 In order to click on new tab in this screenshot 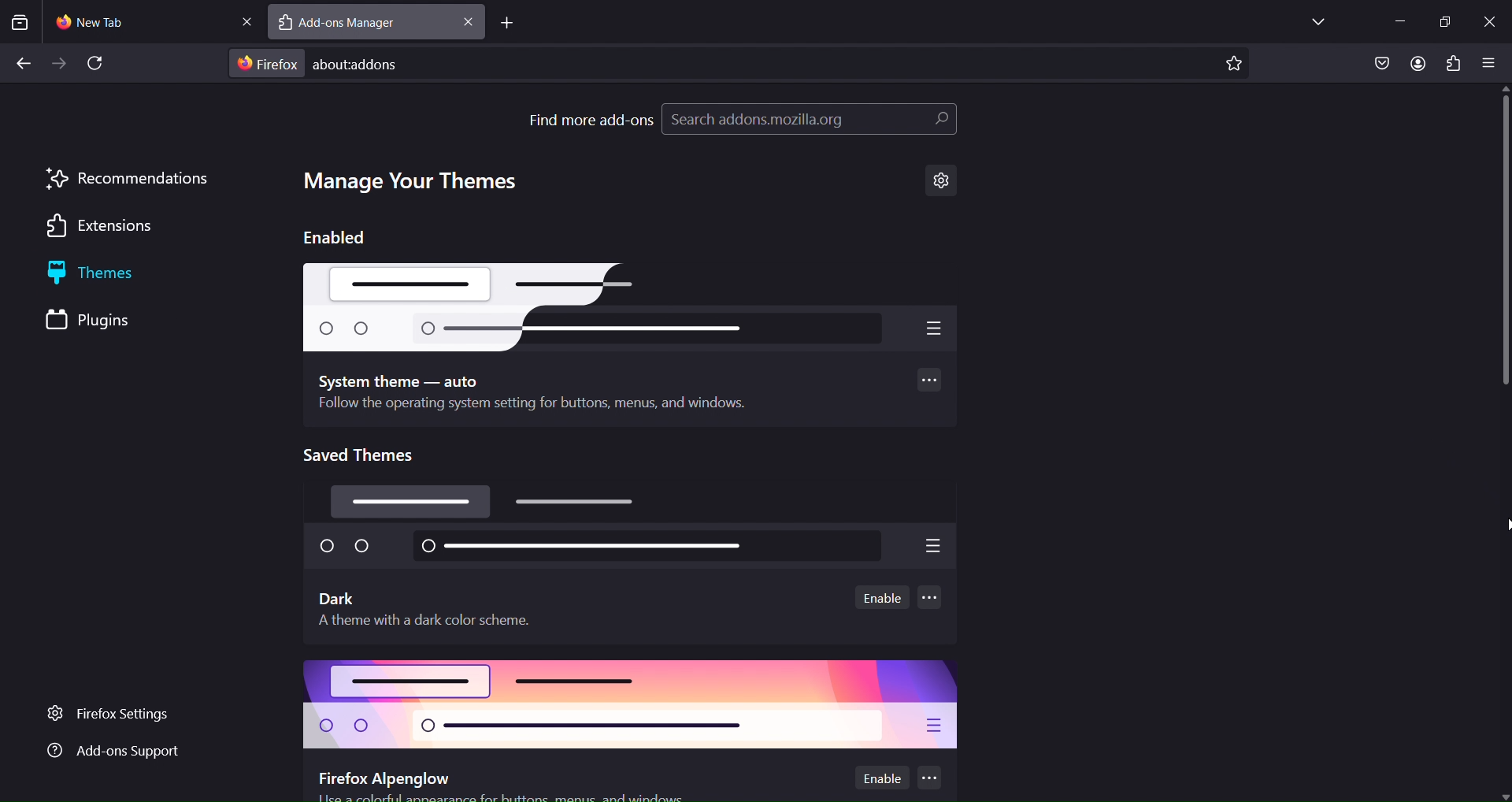, I will do `click(506, 24)`.